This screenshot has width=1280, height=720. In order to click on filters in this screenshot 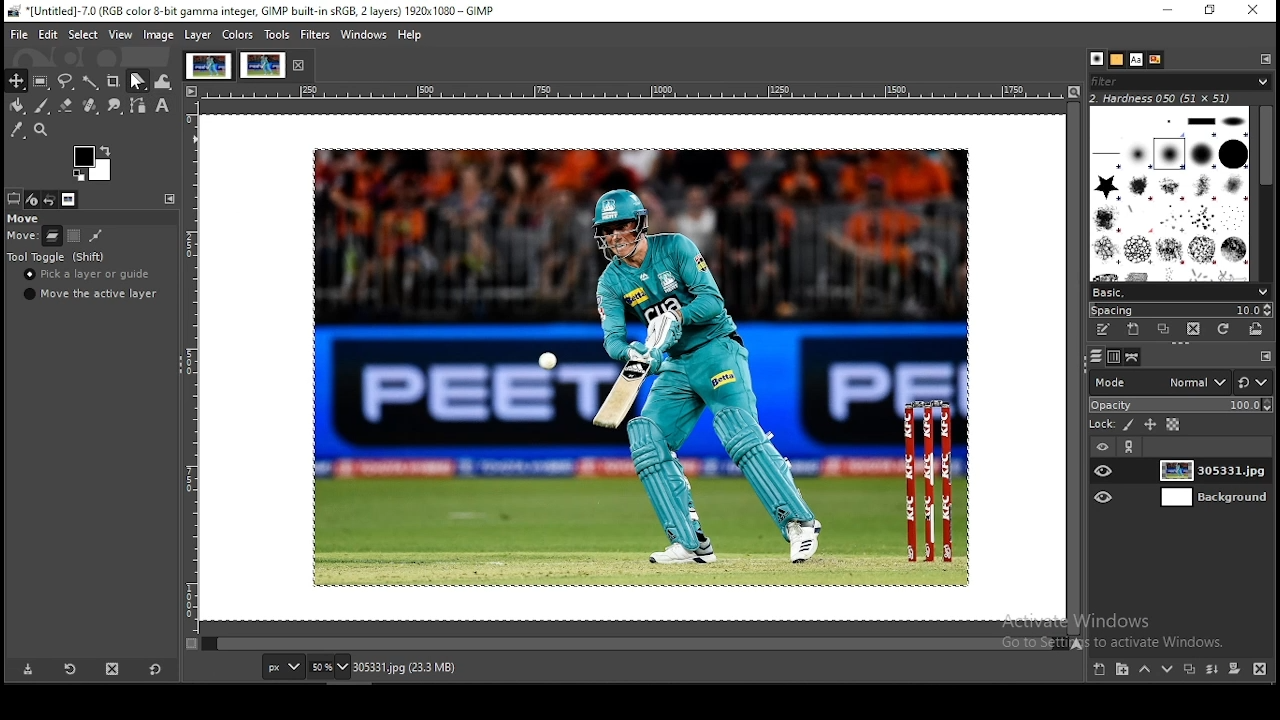, I will do `click(314, 35)`.